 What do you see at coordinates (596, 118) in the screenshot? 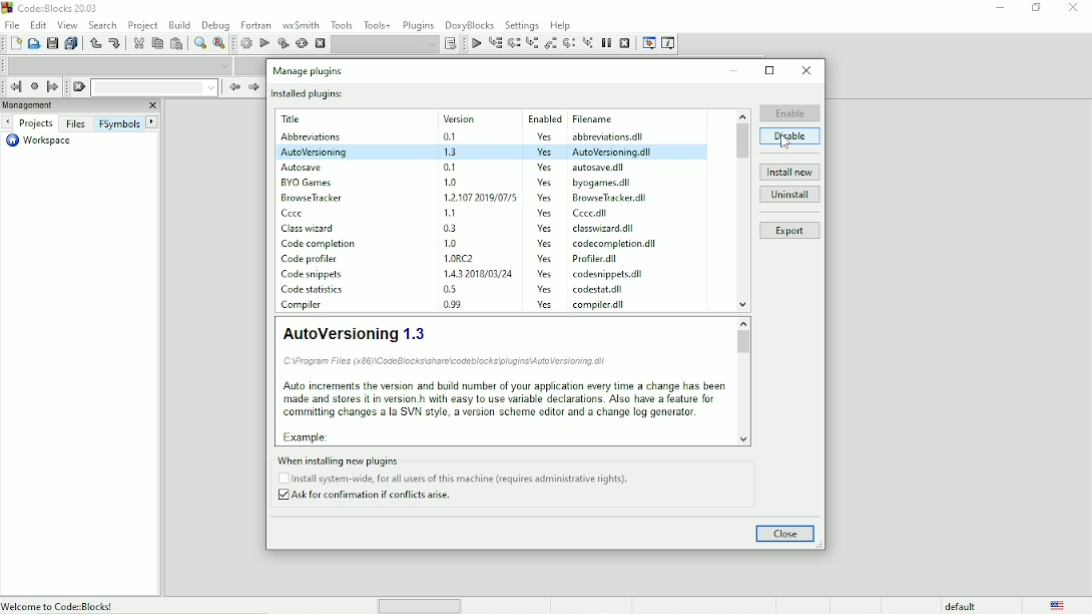
I see `Filename` at bounding box center [596, 118].